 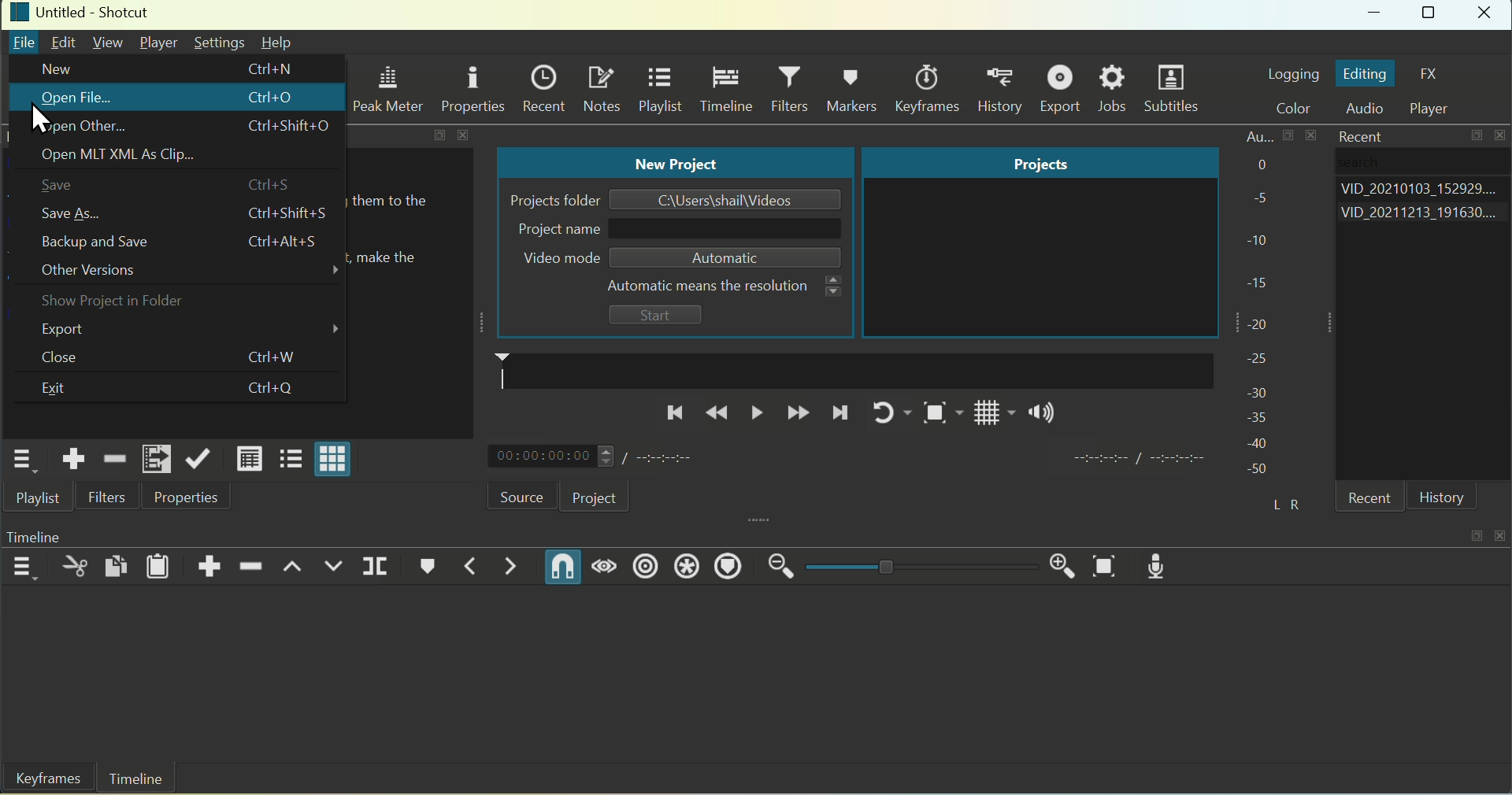 What do you see at coordinates (1163, 565) in the screenshot?
I see `Mic` at bounding box center [1163, 565].